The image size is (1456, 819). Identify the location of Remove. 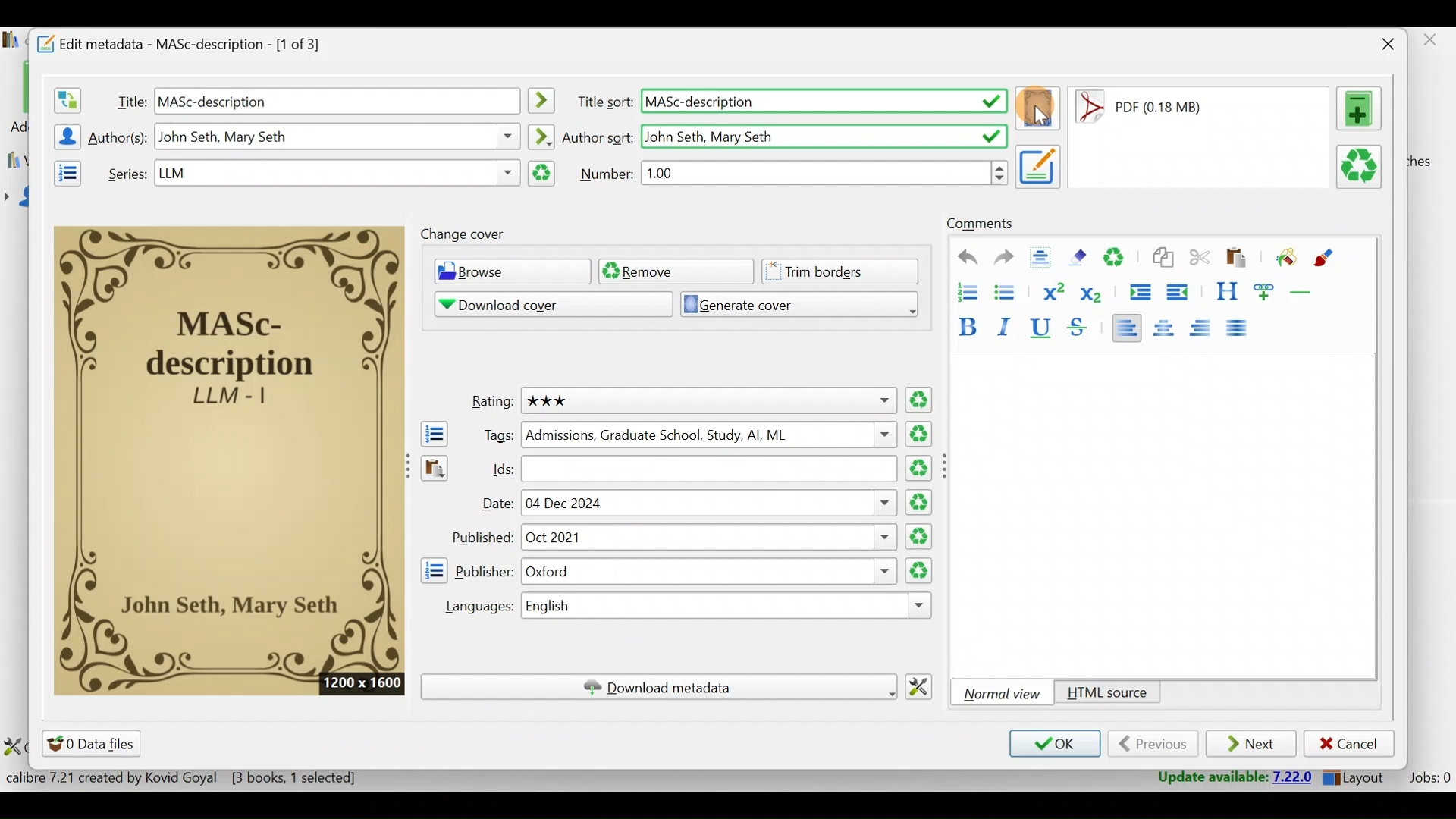
(674, 271).